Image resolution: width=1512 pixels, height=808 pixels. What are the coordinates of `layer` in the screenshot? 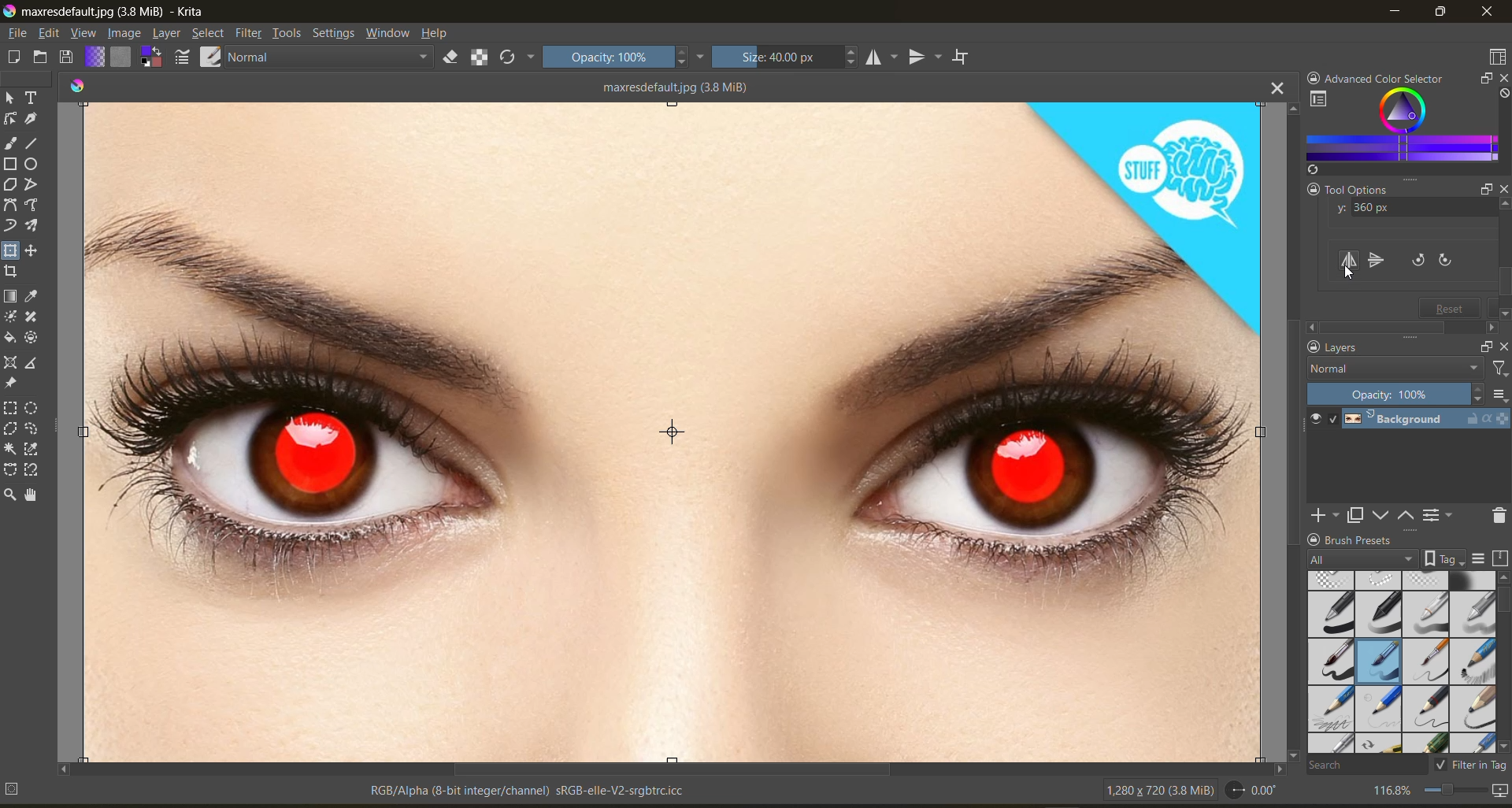 It's located at (169, 34).